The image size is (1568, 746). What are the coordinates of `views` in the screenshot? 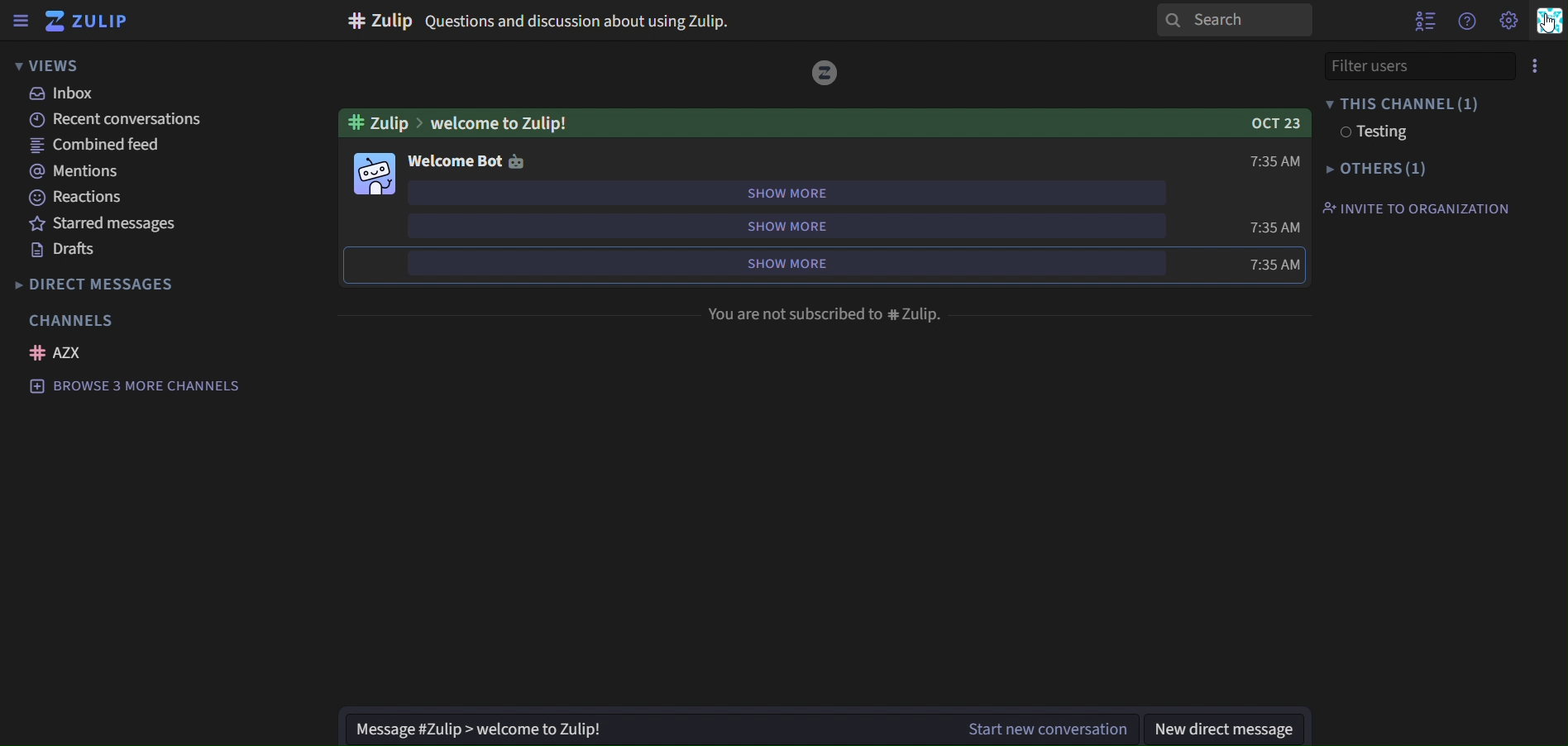 It's located at (55, 65).